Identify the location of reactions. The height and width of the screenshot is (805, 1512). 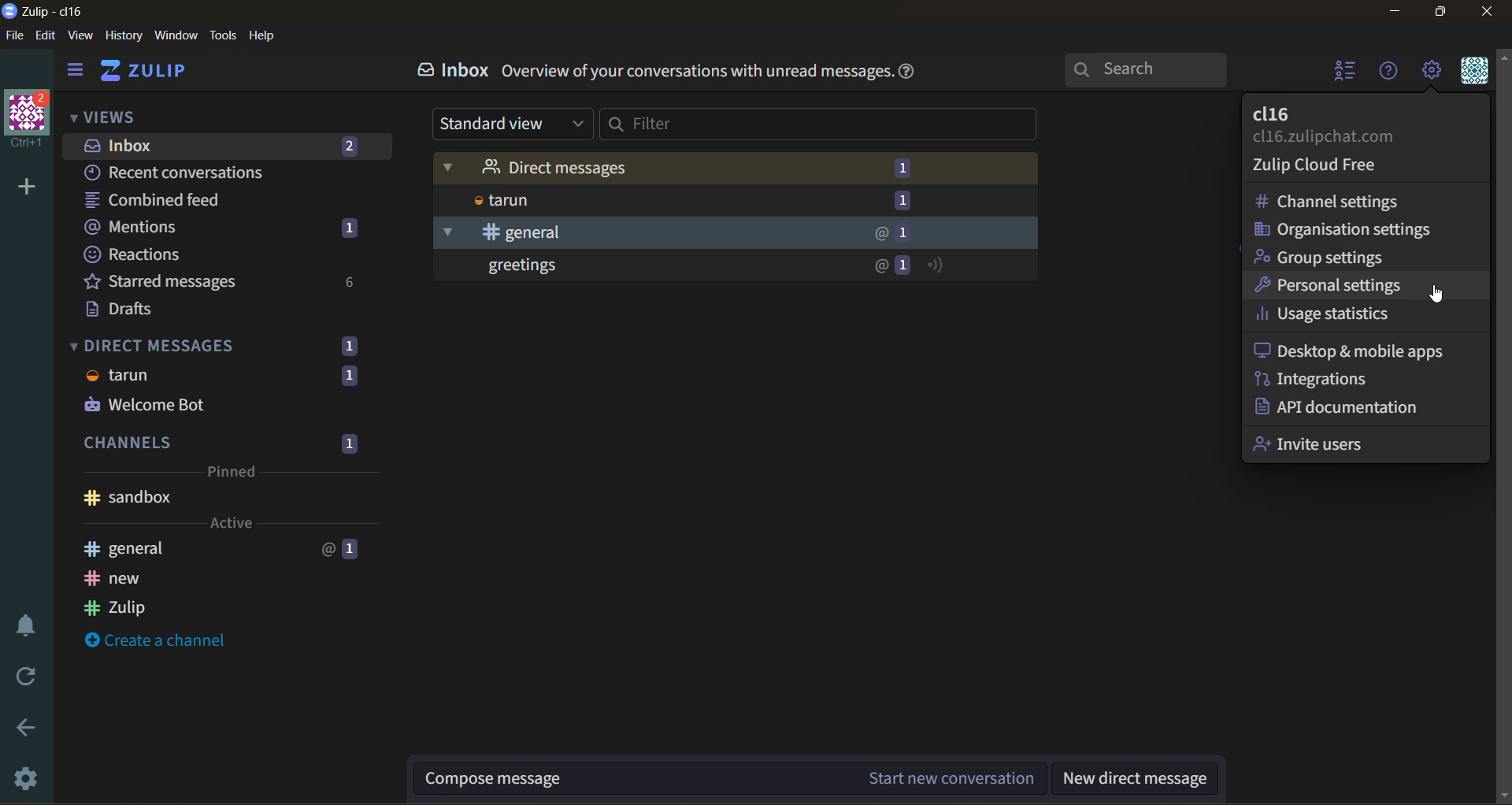
(215, 256).